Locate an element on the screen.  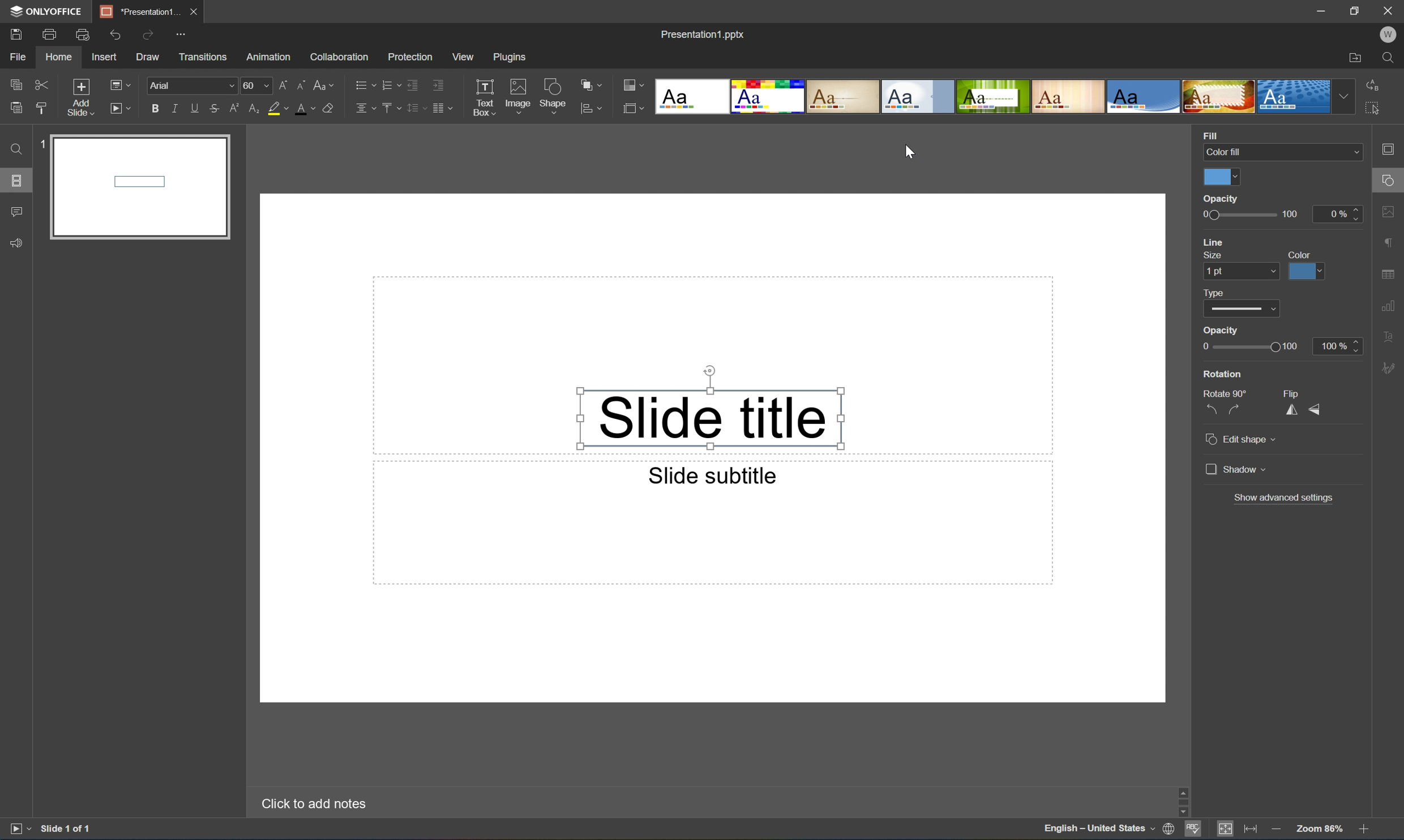
Print a file is located at coordinates (50, 34).